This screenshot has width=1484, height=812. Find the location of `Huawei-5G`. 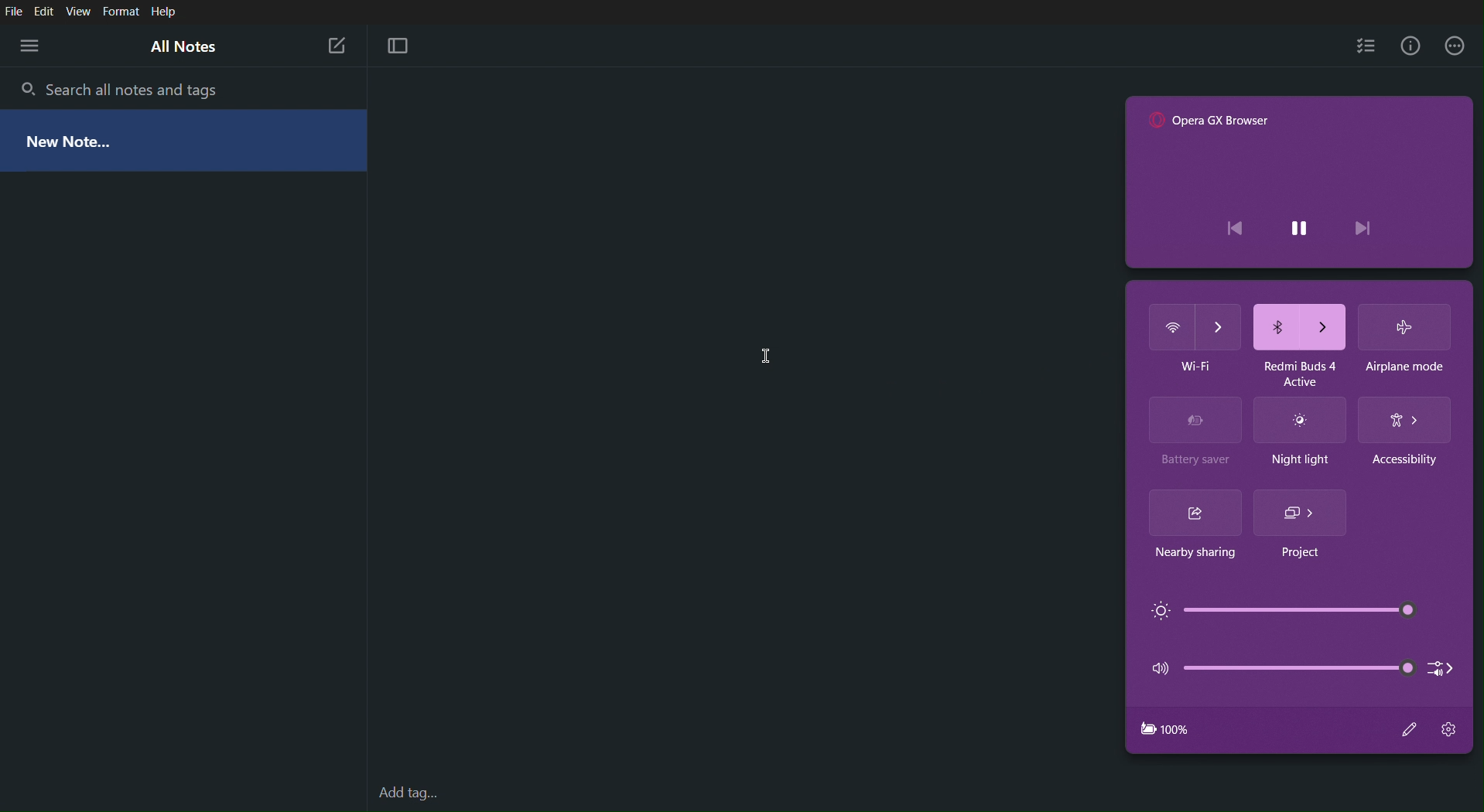

Huawei-5G is located at coordinates (1188, 367).